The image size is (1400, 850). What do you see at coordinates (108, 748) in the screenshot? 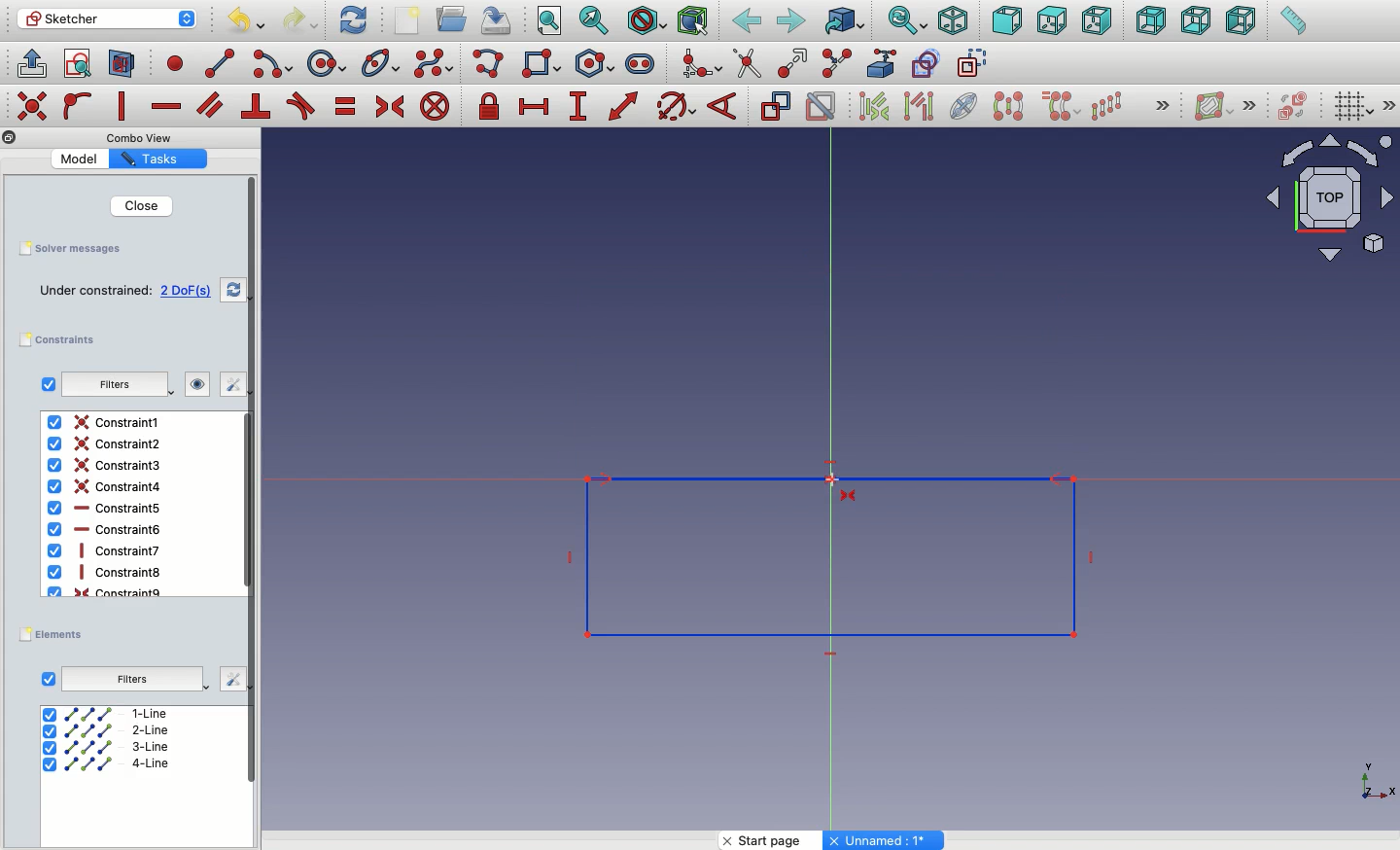
I see `3-line` at bounding box center [108, 748].